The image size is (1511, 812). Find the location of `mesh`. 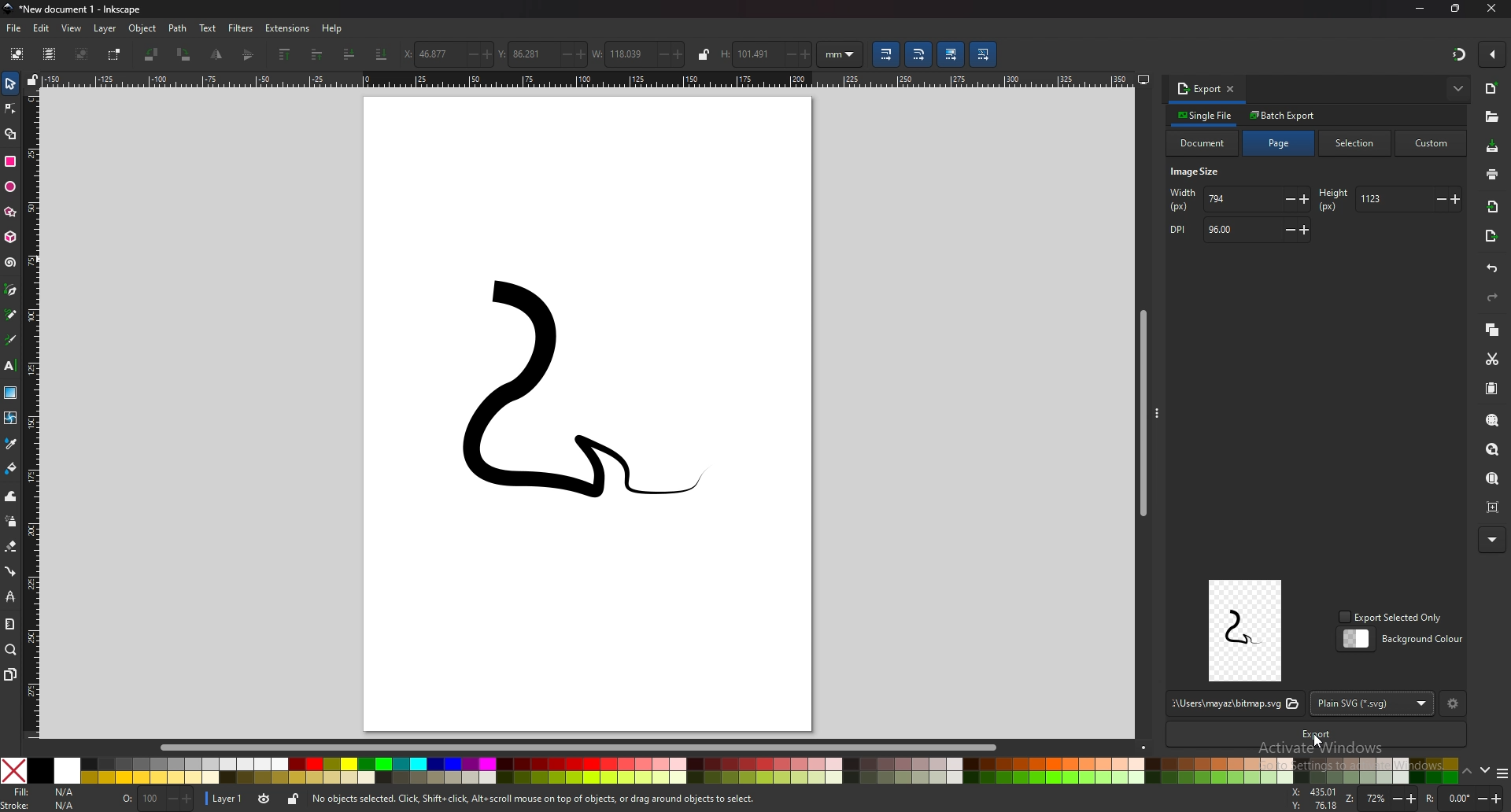

mesh is located at coordinates (11, 417).